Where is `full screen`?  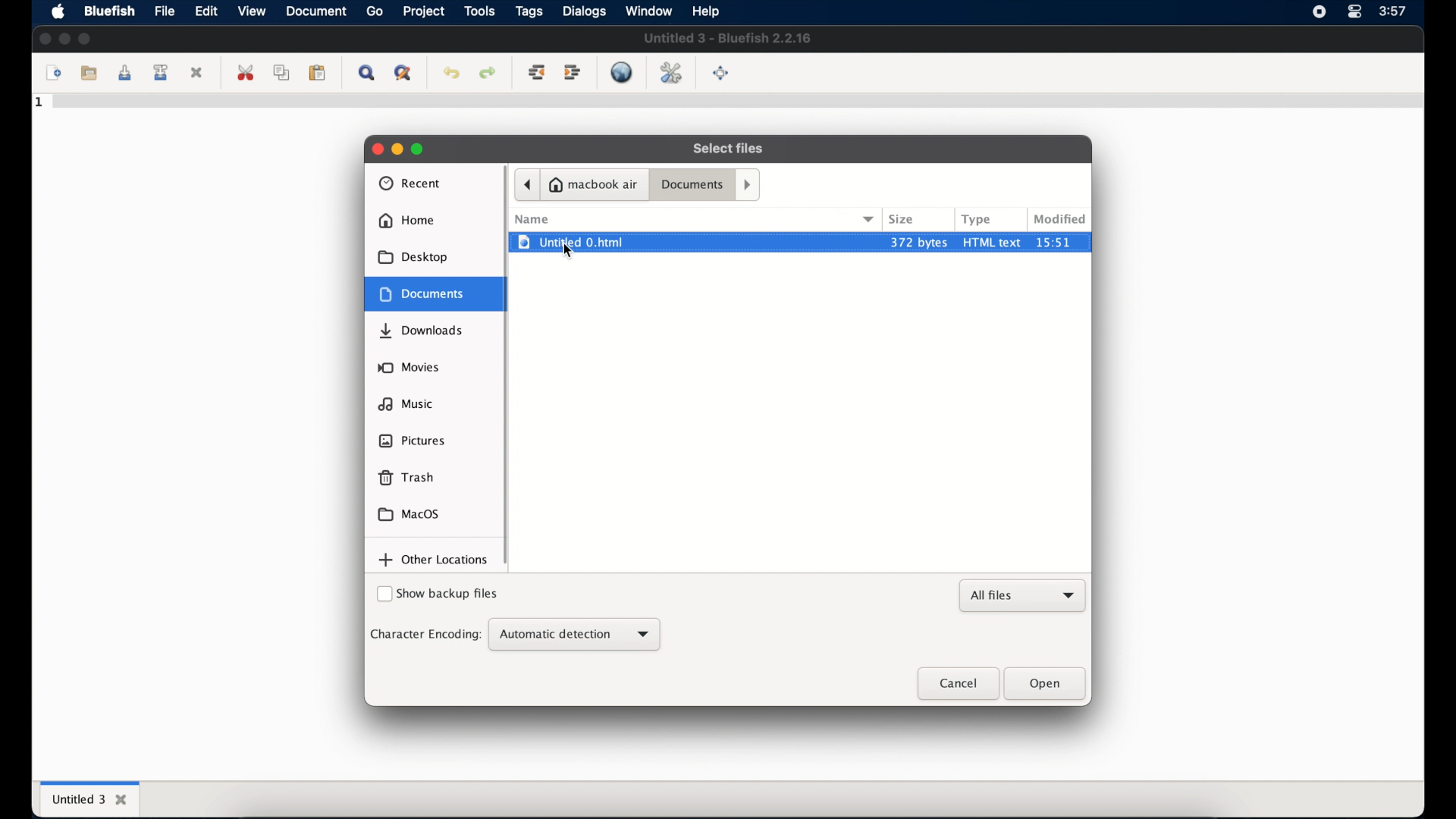
full screen is located at coordinates (722, 74).